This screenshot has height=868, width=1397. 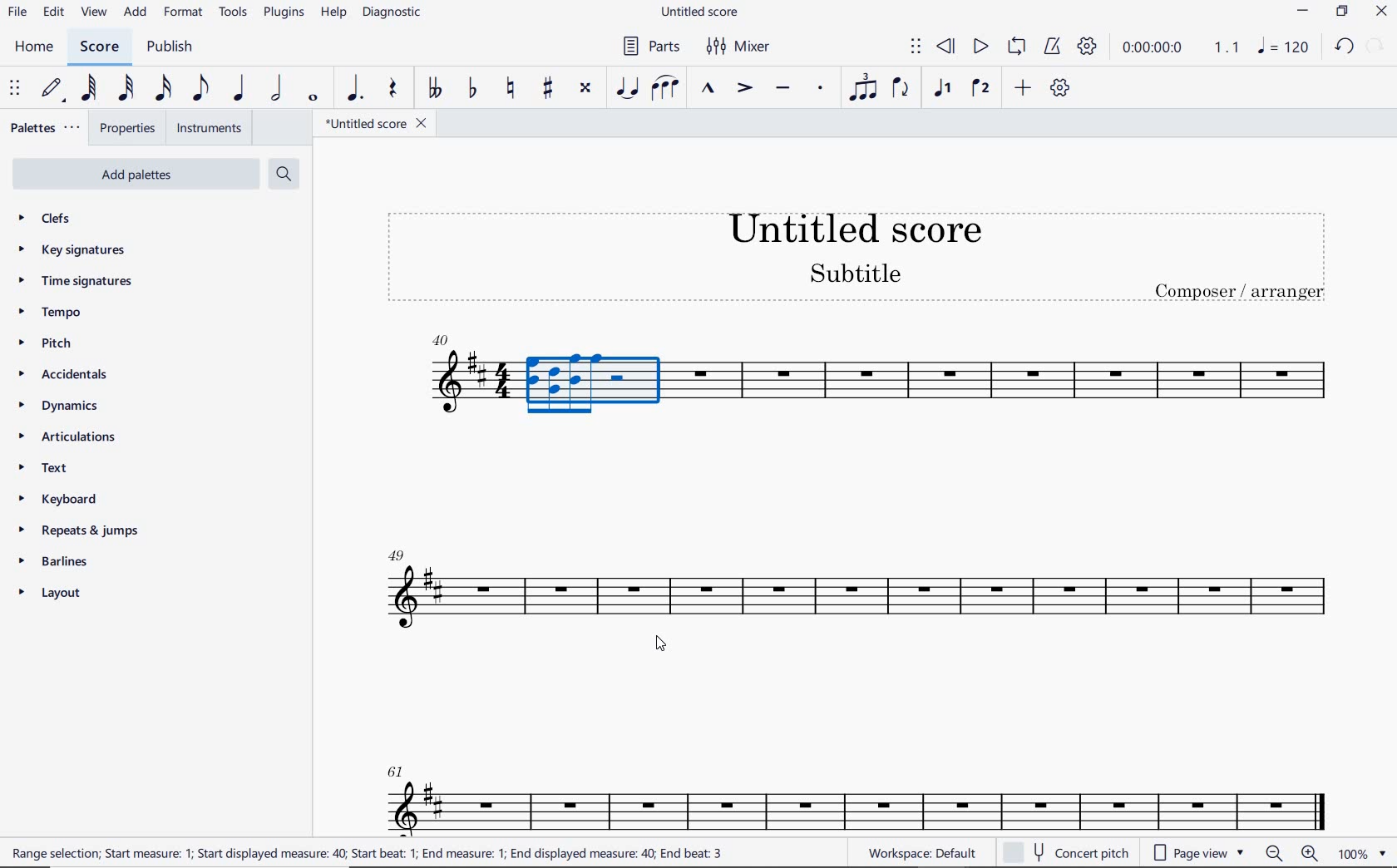 What do you see at coordinates (55, 219) in the screenshot?
I see `CLEFS` at bounding box center [55, 219].